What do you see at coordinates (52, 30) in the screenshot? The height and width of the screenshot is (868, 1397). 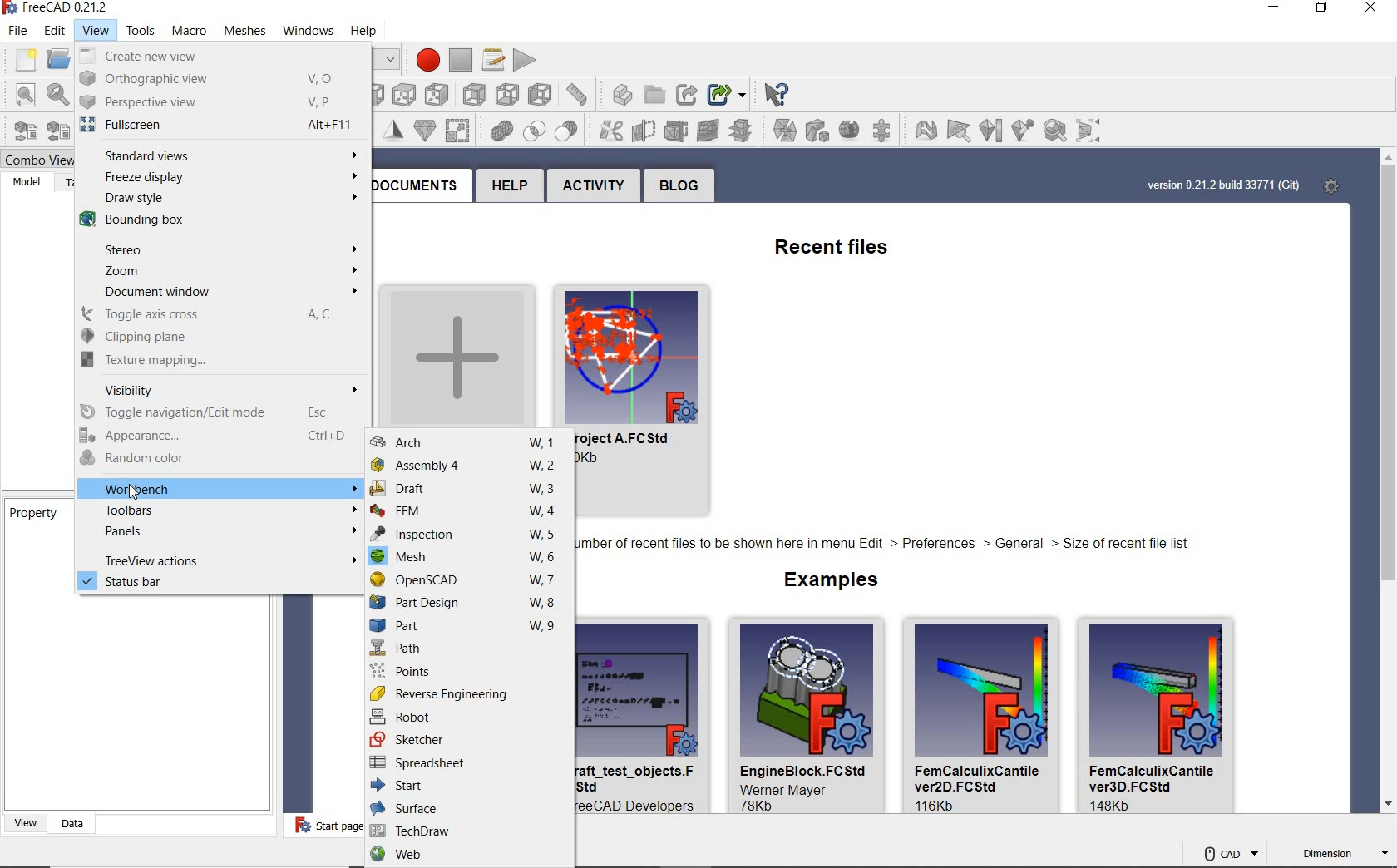 I see `edit` at bounding box center [52, 30].